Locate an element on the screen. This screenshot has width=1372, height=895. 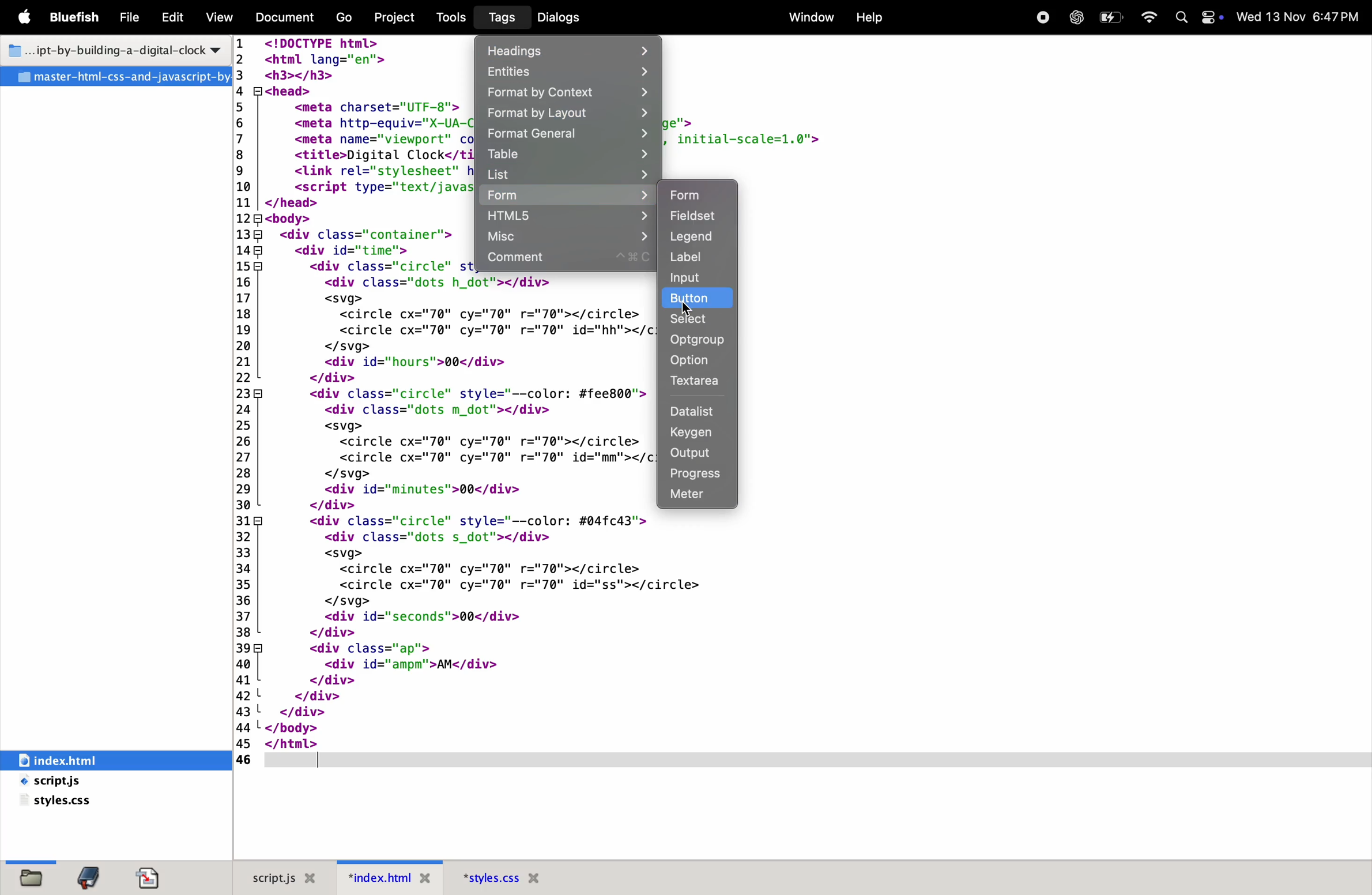
file browser is located at coordinates (31, 874).